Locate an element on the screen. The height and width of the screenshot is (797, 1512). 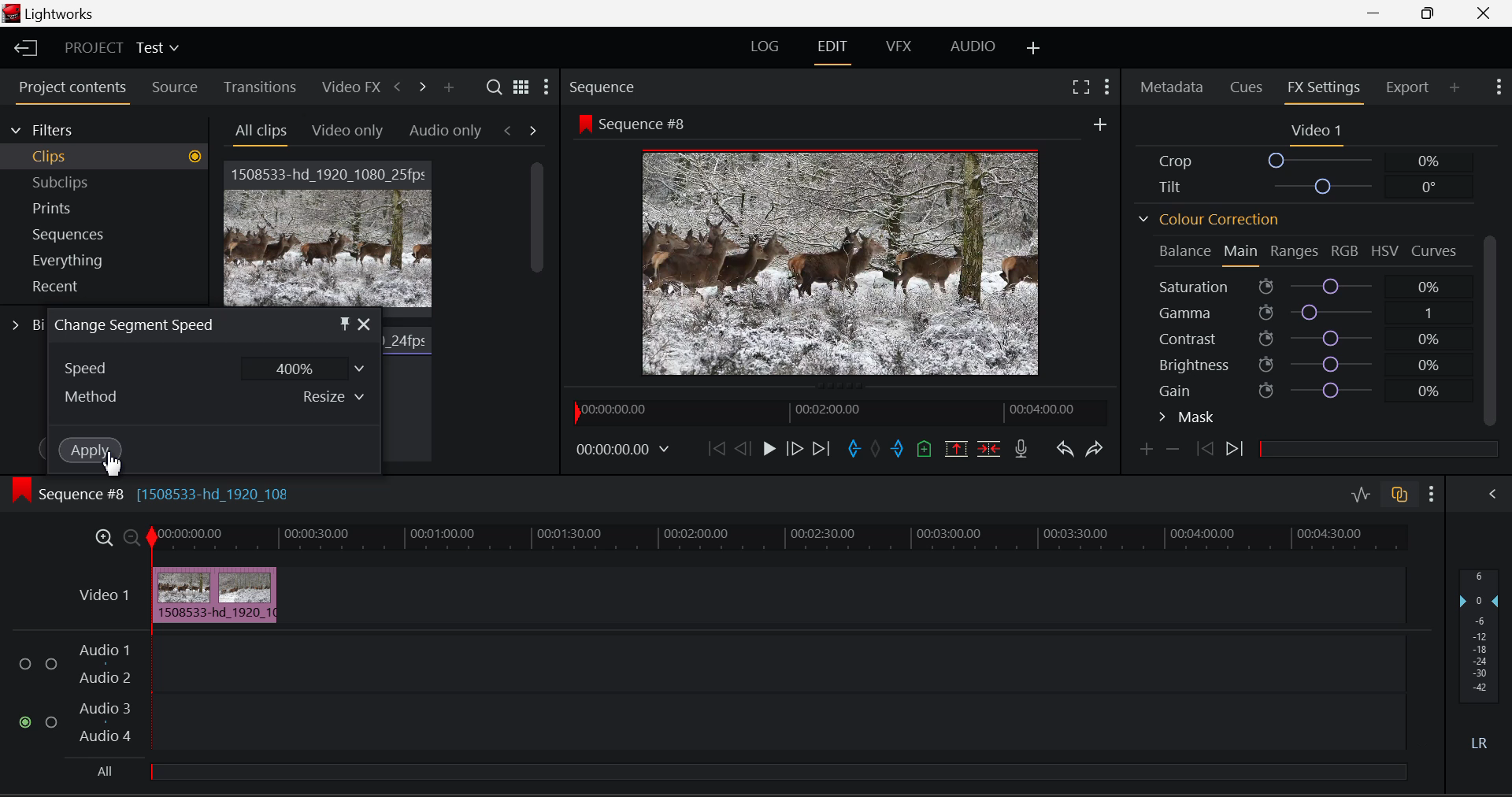
Filters Selection is located at coordinates (102, 129).